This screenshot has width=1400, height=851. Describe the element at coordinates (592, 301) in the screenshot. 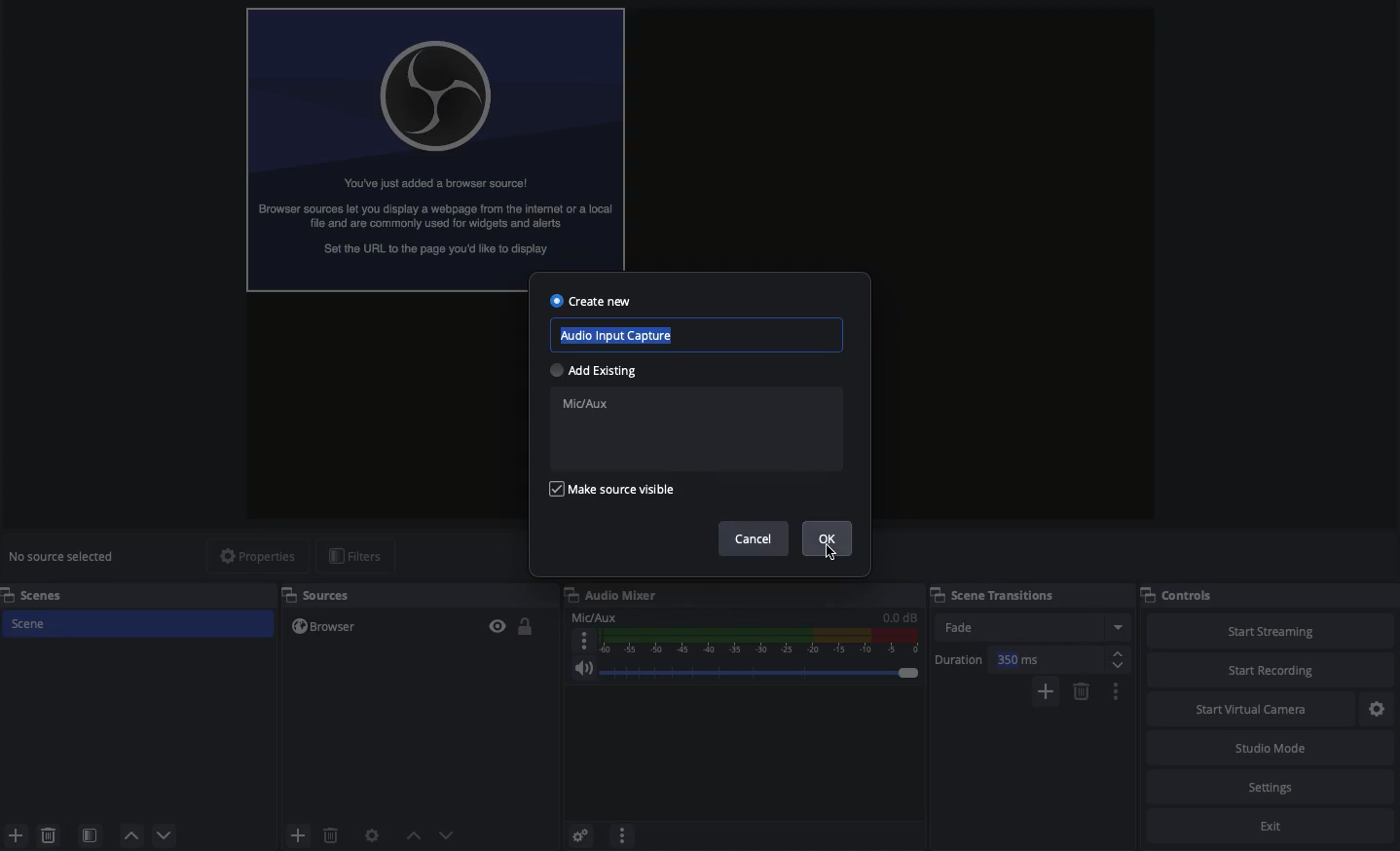

I see `Create new` at that location.